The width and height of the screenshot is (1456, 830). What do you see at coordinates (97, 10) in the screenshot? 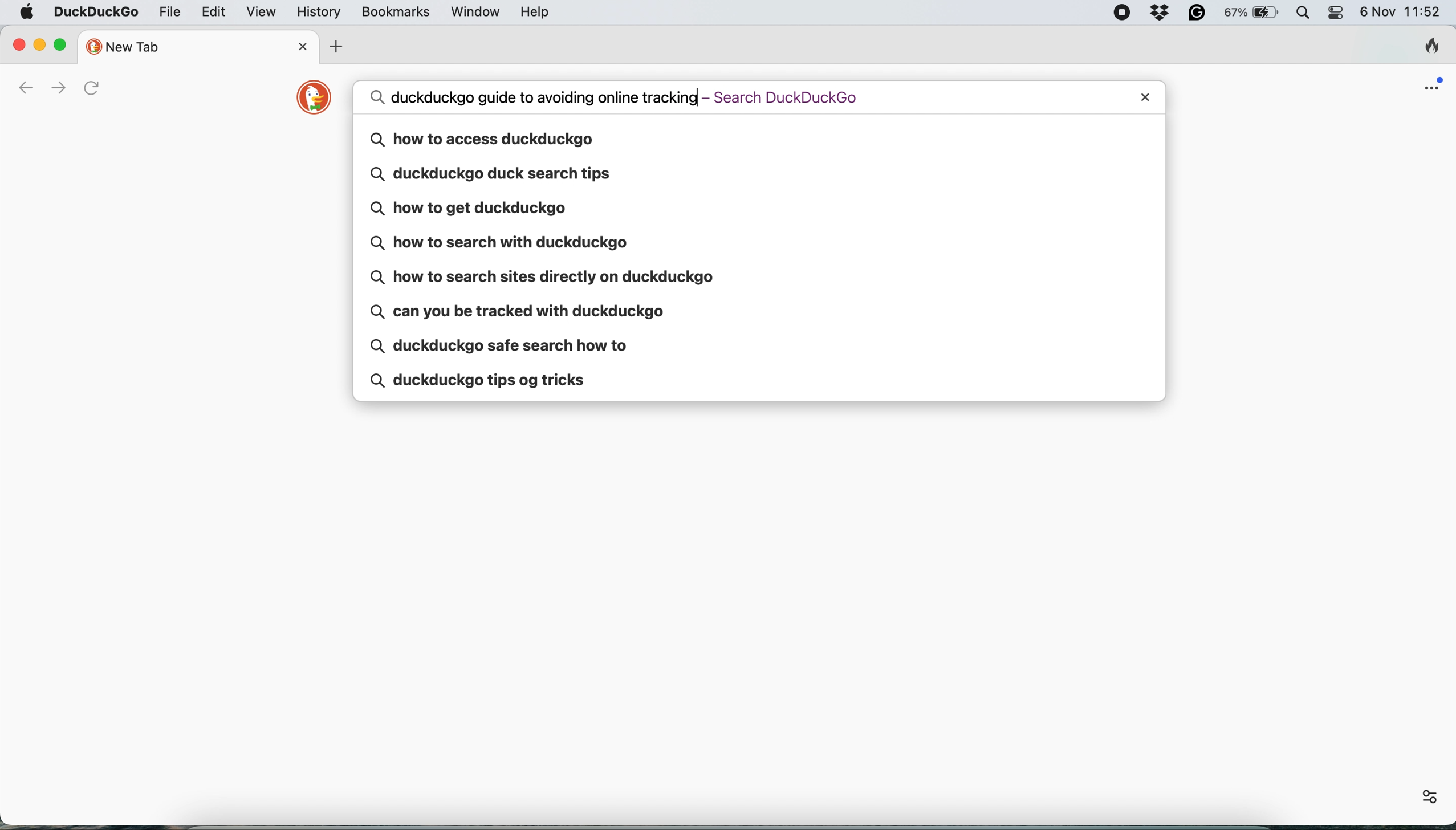
I see `duckduckgo` at bounding box center [97, 10].